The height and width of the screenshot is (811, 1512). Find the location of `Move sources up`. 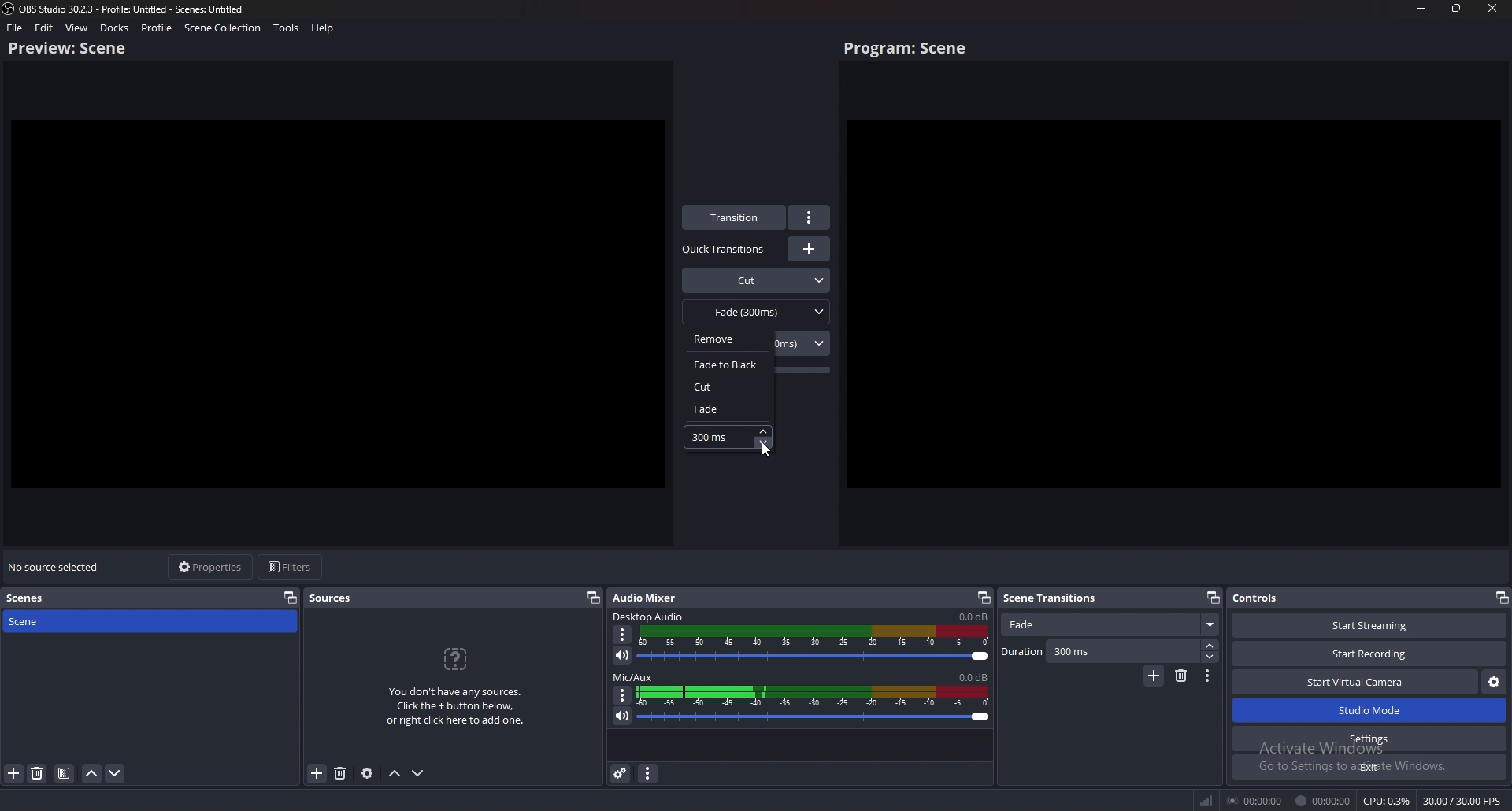

Move sources up is located at coordinates (395, 774).